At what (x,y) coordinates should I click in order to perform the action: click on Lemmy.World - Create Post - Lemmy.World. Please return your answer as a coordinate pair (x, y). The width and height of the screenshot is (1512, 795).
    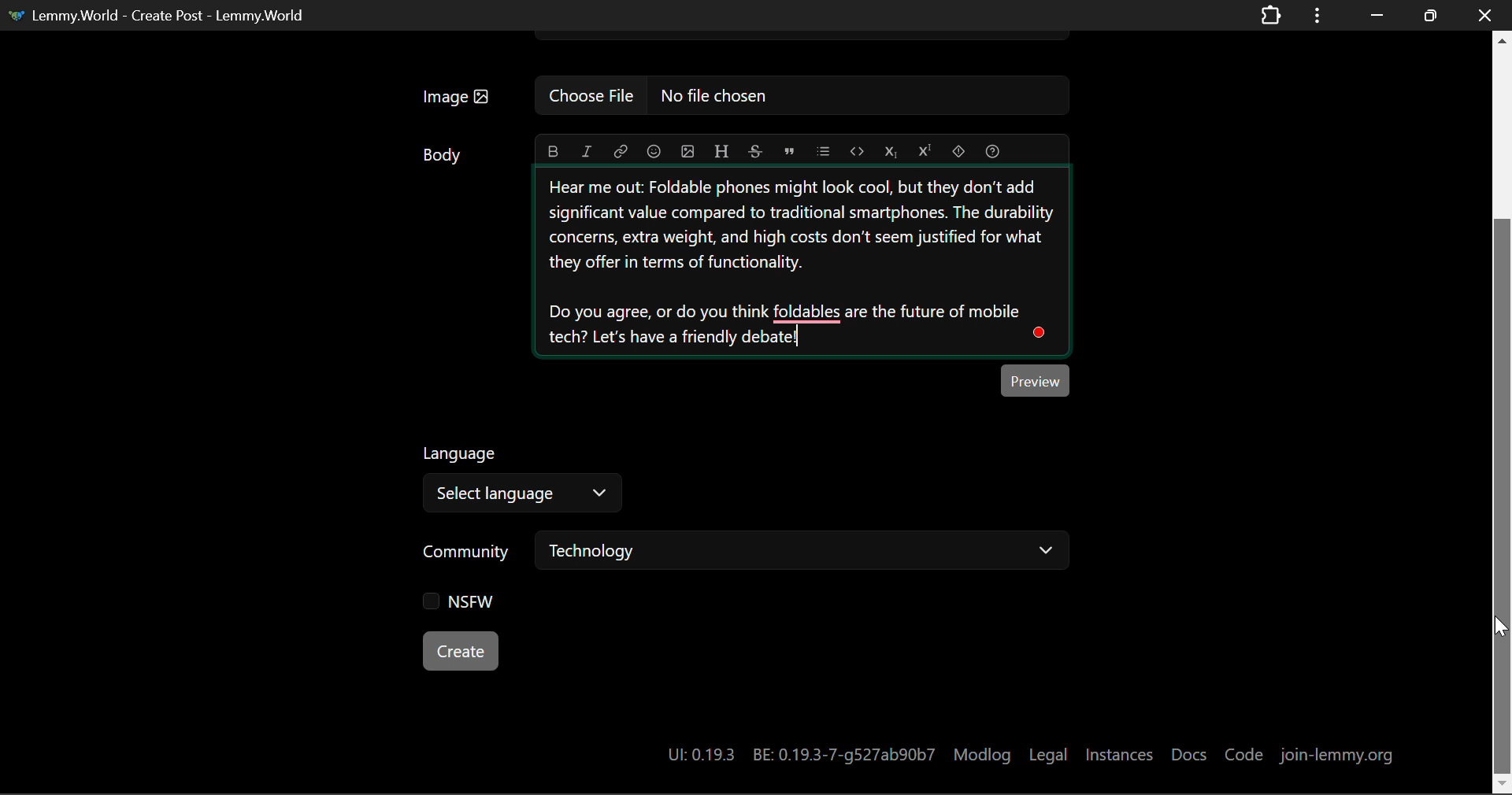
    Looking at the image, I should click on (160, 14).